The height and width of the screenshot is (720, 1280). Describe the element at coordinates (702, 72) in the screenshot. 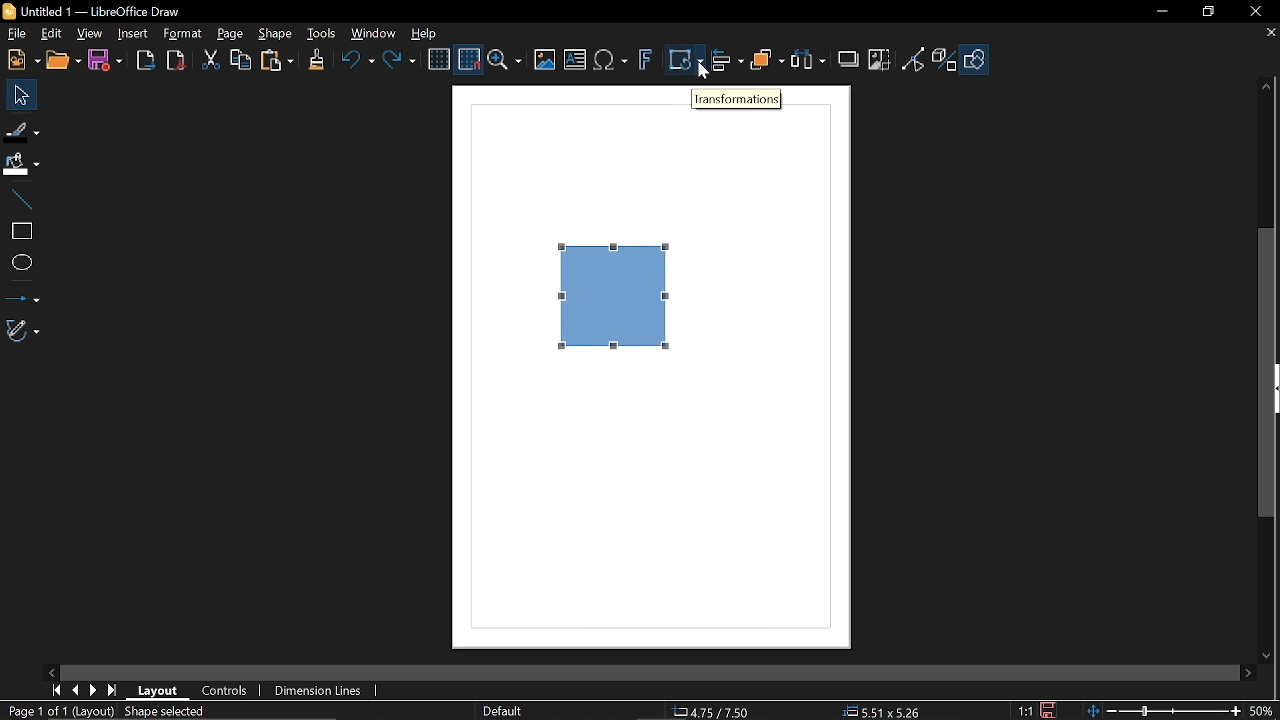

I see `cursor` at that location.